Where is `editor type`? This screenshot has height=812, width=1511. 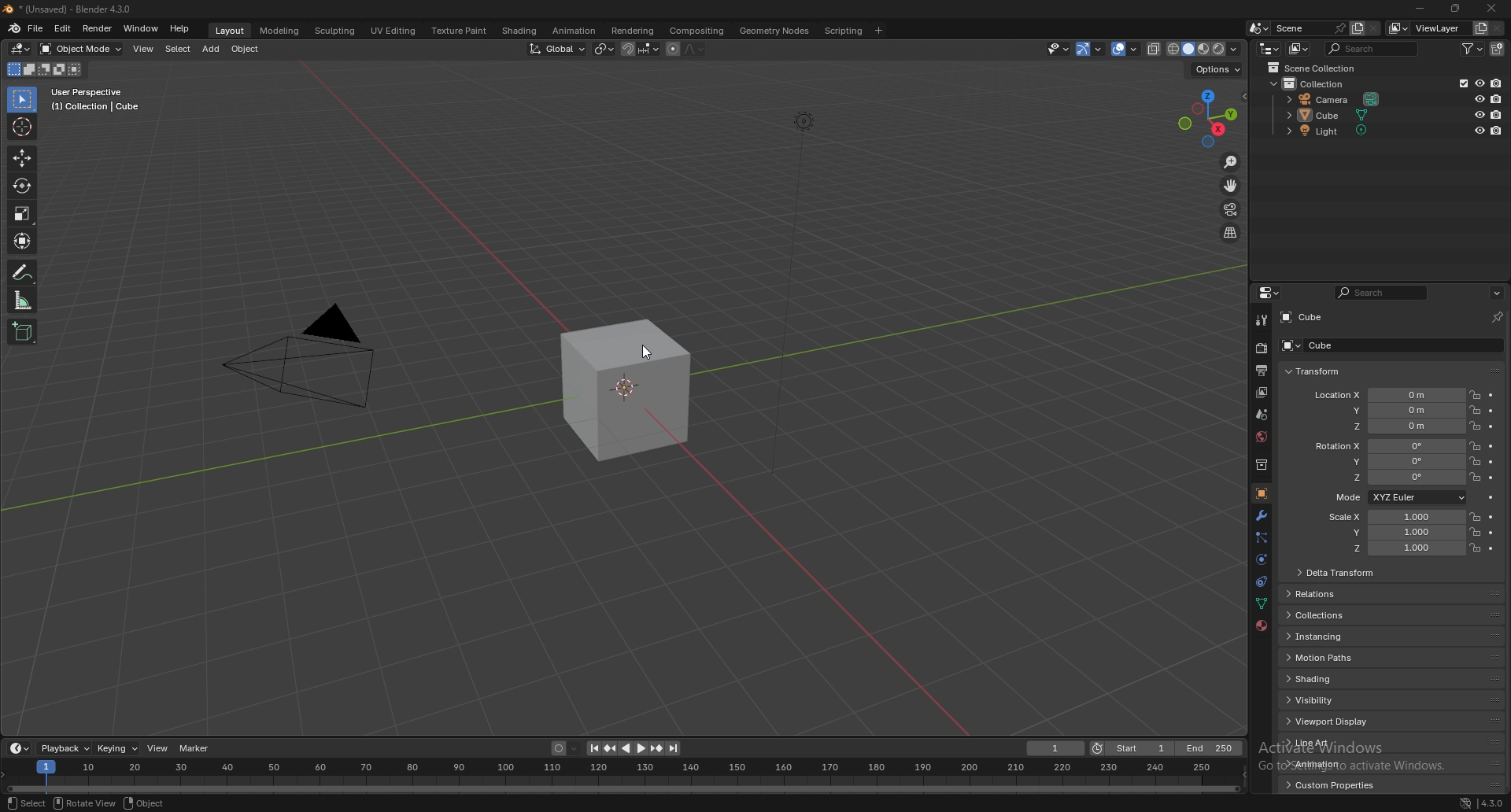 editor type is located at coordinates (18, 749).